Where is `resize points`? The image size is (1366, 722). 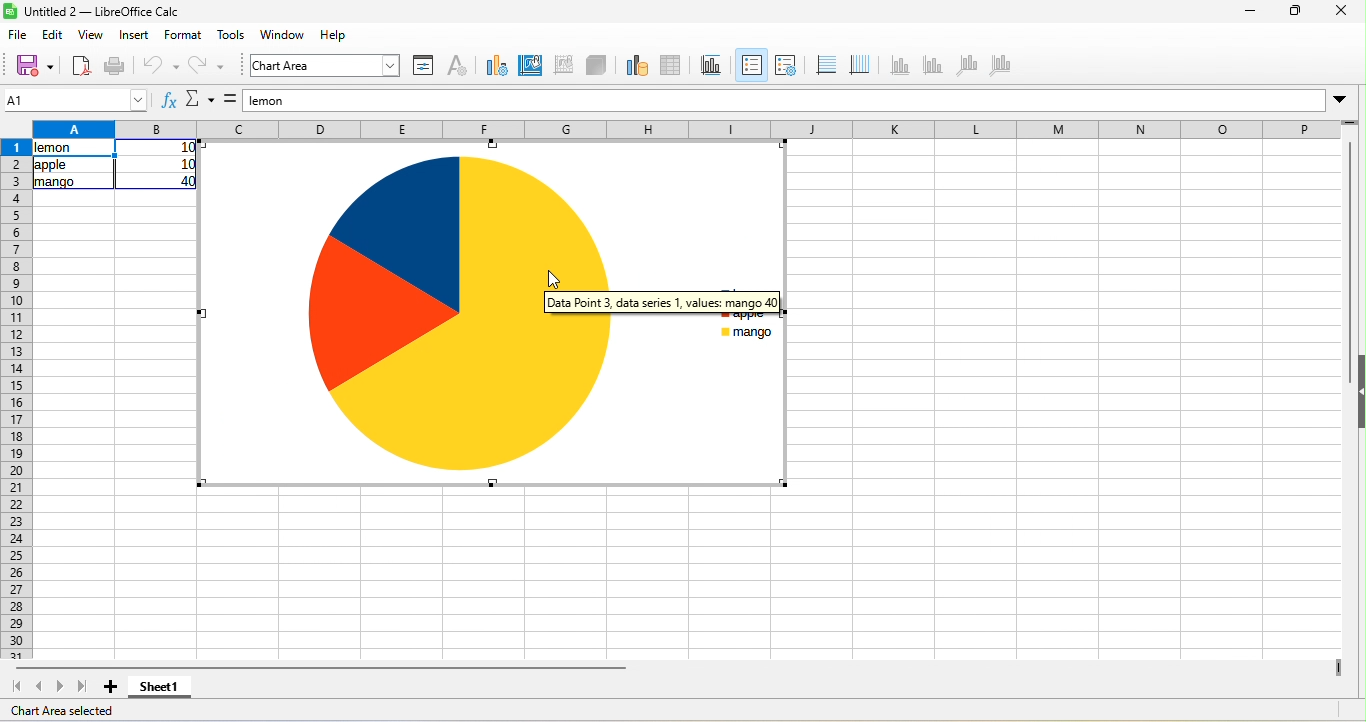
resize points is located at coordinates (202, 311).